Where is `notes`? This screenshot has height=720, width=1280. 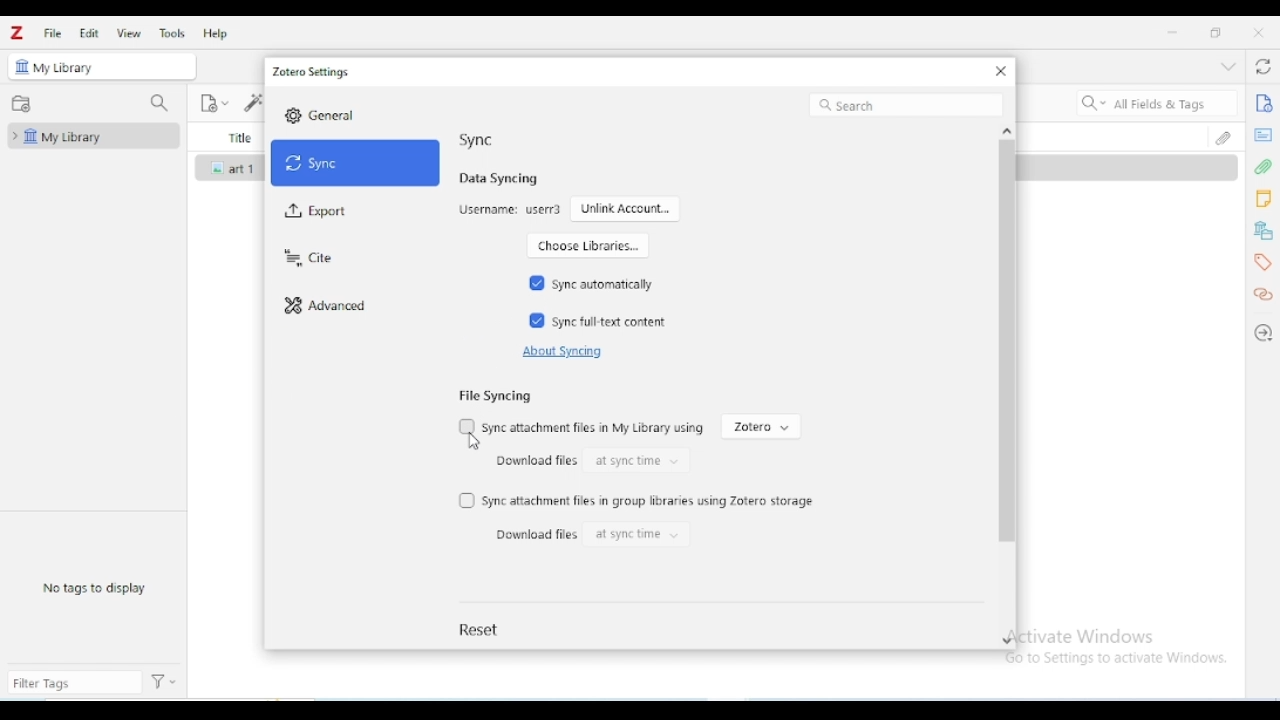 notes is located at coordinates (1264, 199).